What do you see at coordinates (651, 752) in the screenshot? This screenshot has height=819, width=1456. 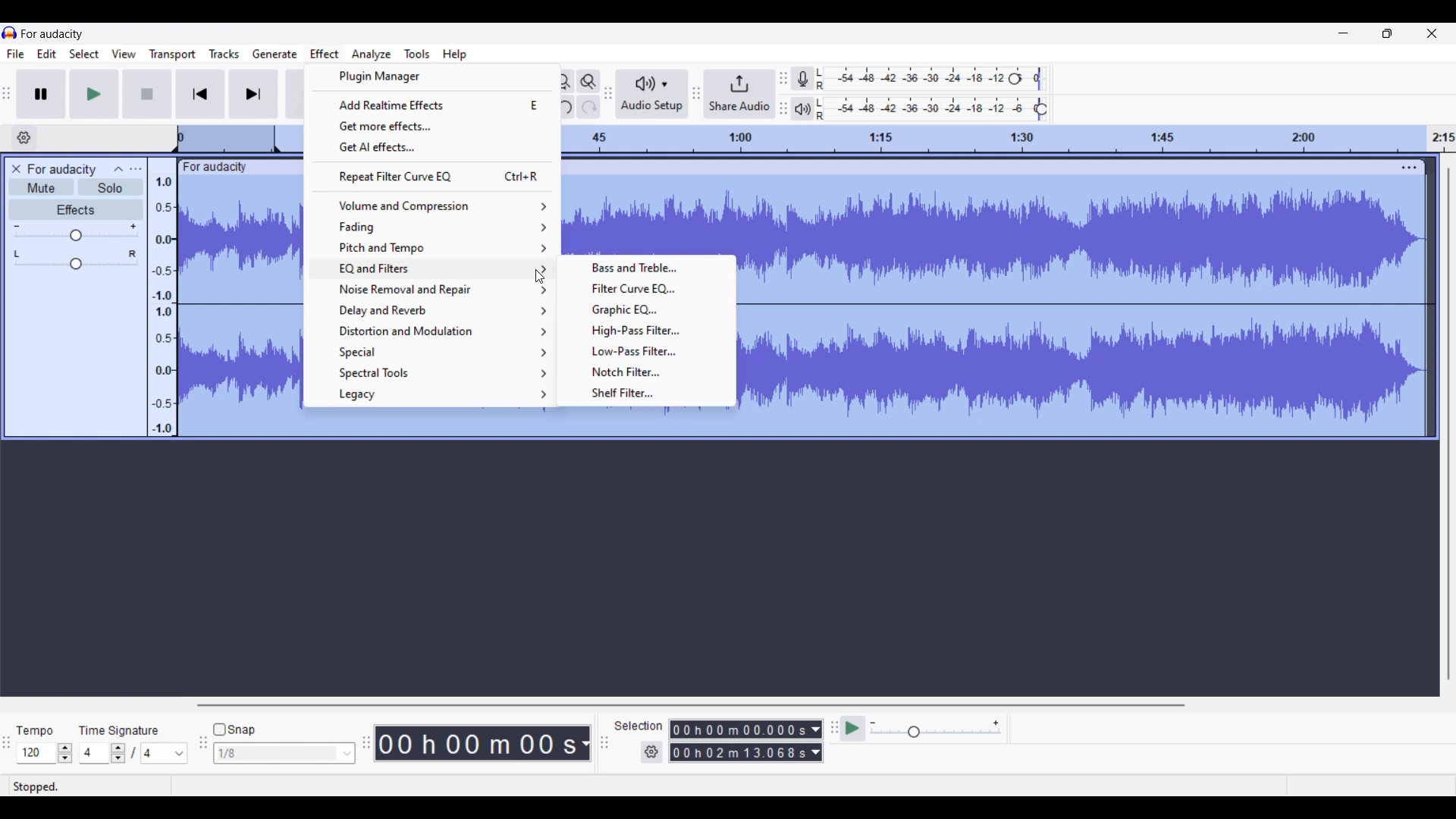 I see `Selection settings` at bounding box center [651, 752].